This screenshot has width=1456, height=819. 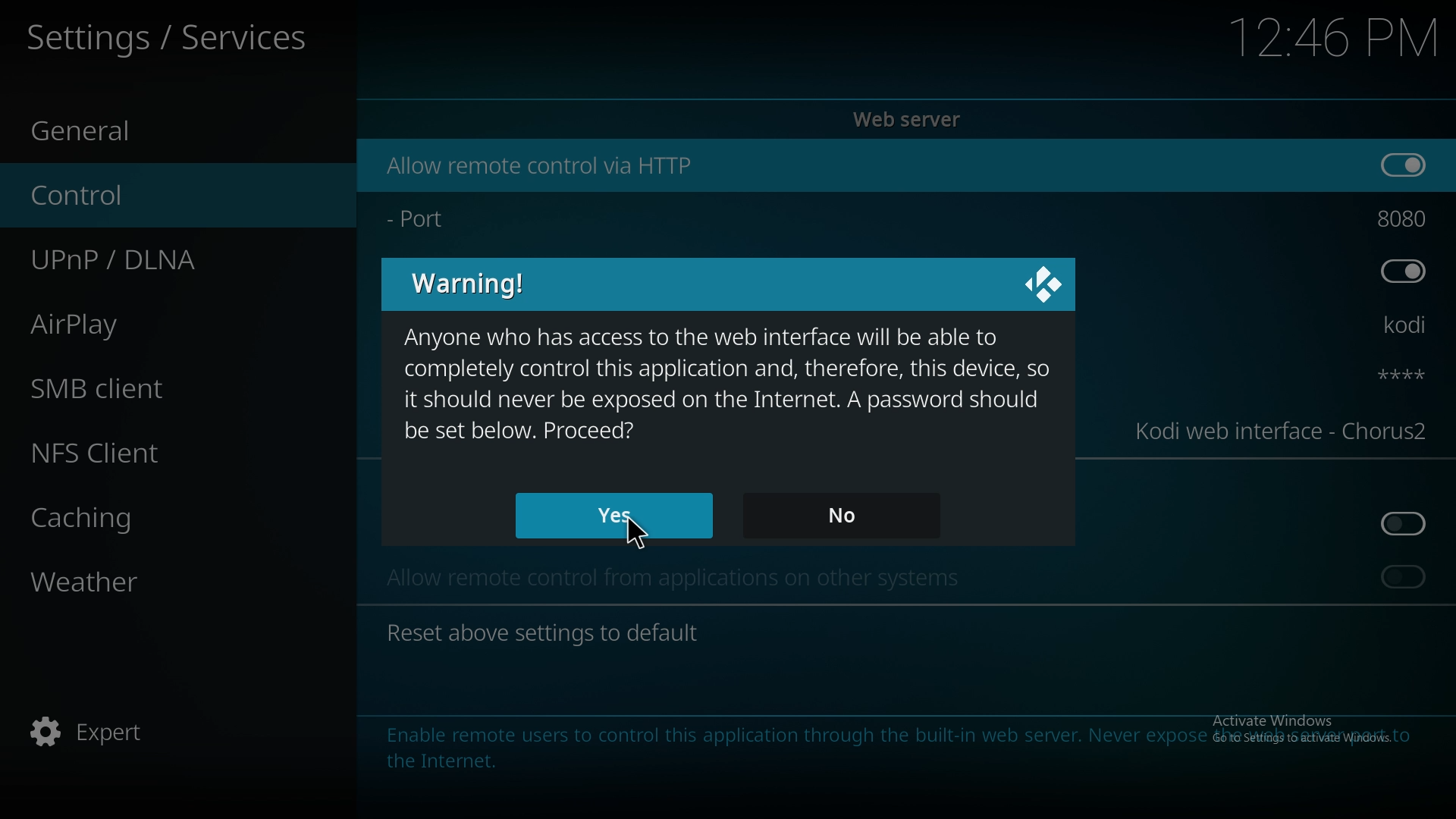 I want to click on nfs client, so click(x=124, y=453).